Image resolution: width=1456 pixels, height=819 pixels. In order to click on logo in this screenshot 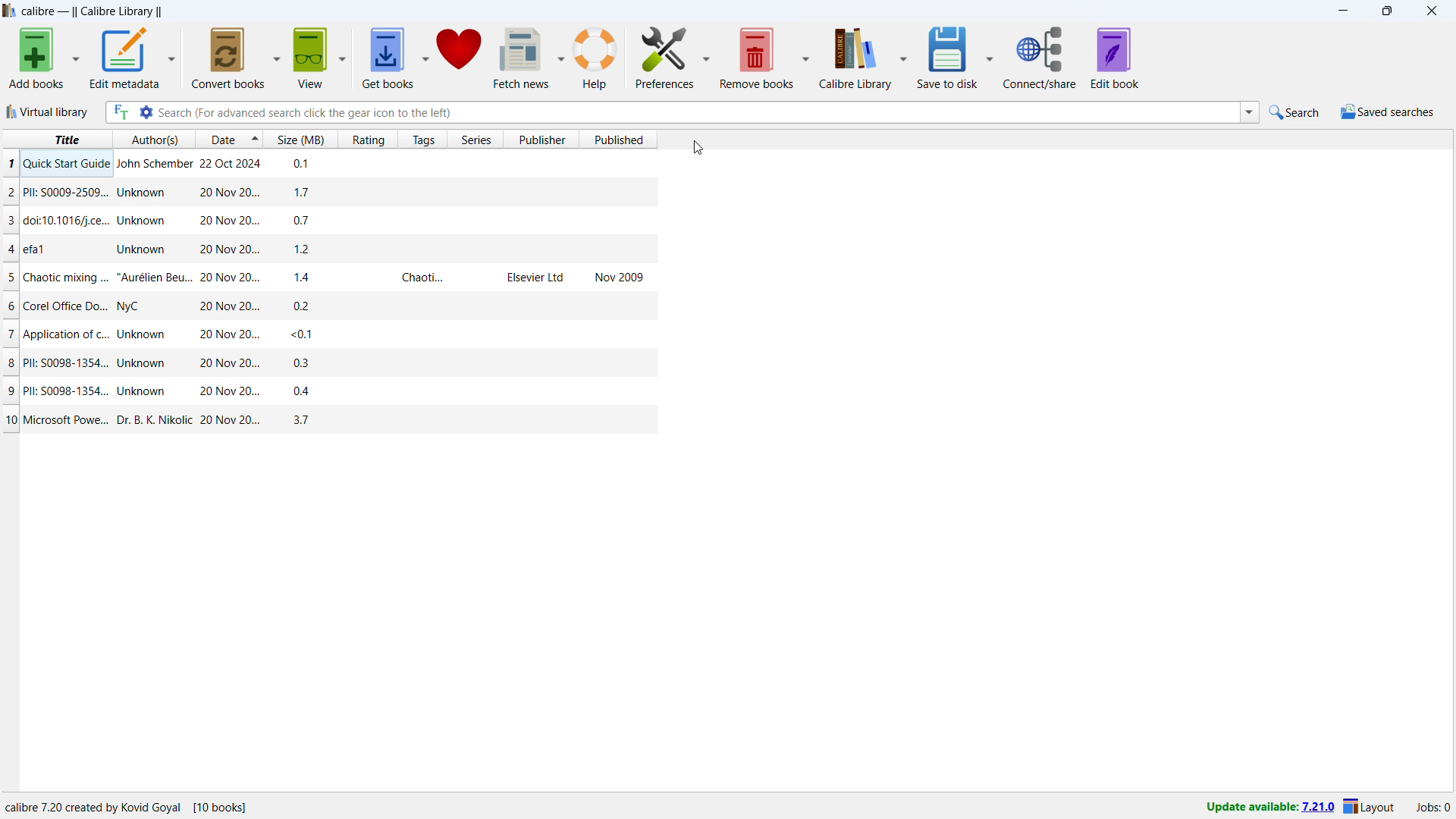, I will do `click(10, 11)`.